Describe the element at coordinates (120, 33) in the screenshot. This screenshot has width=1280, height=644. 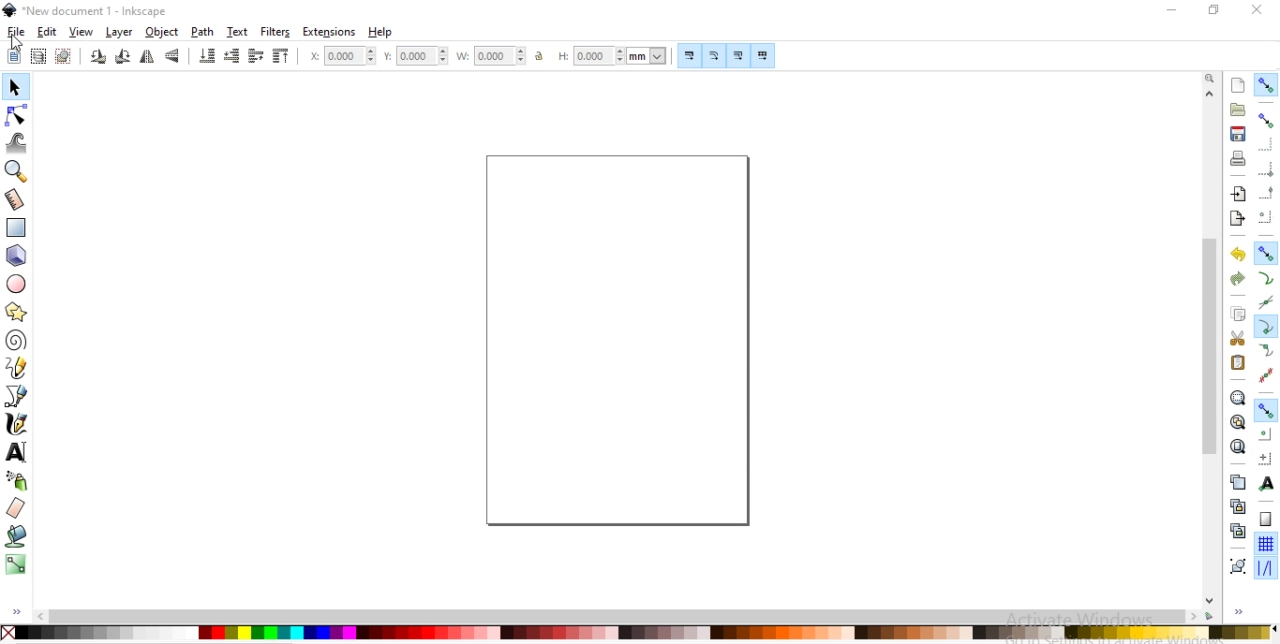
I see `layer` at that location.